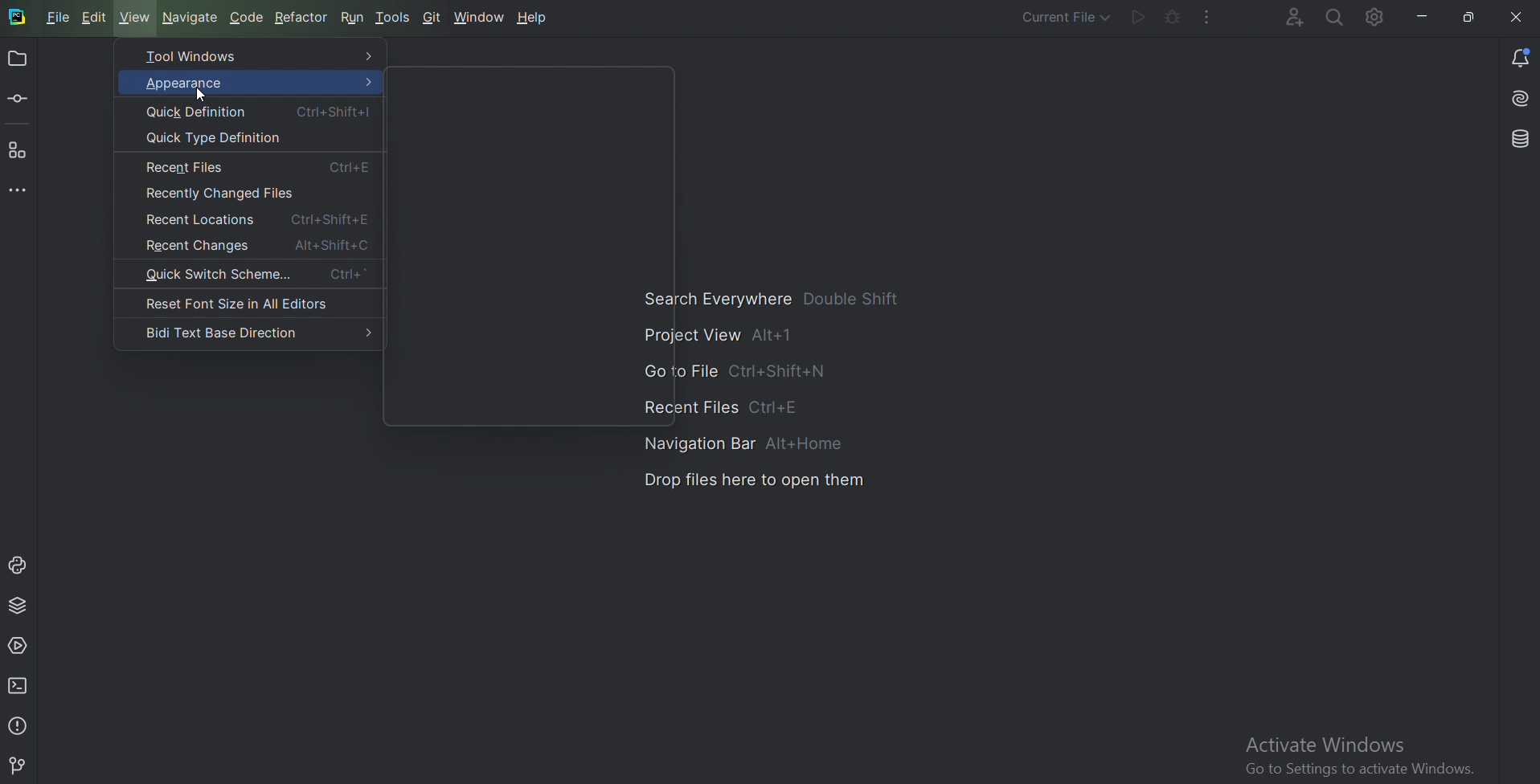 This screenshot has height=784, width=1540. Describe the element at coordinates (16, 18) in the screenshot. I see `Pycharm` at that location.